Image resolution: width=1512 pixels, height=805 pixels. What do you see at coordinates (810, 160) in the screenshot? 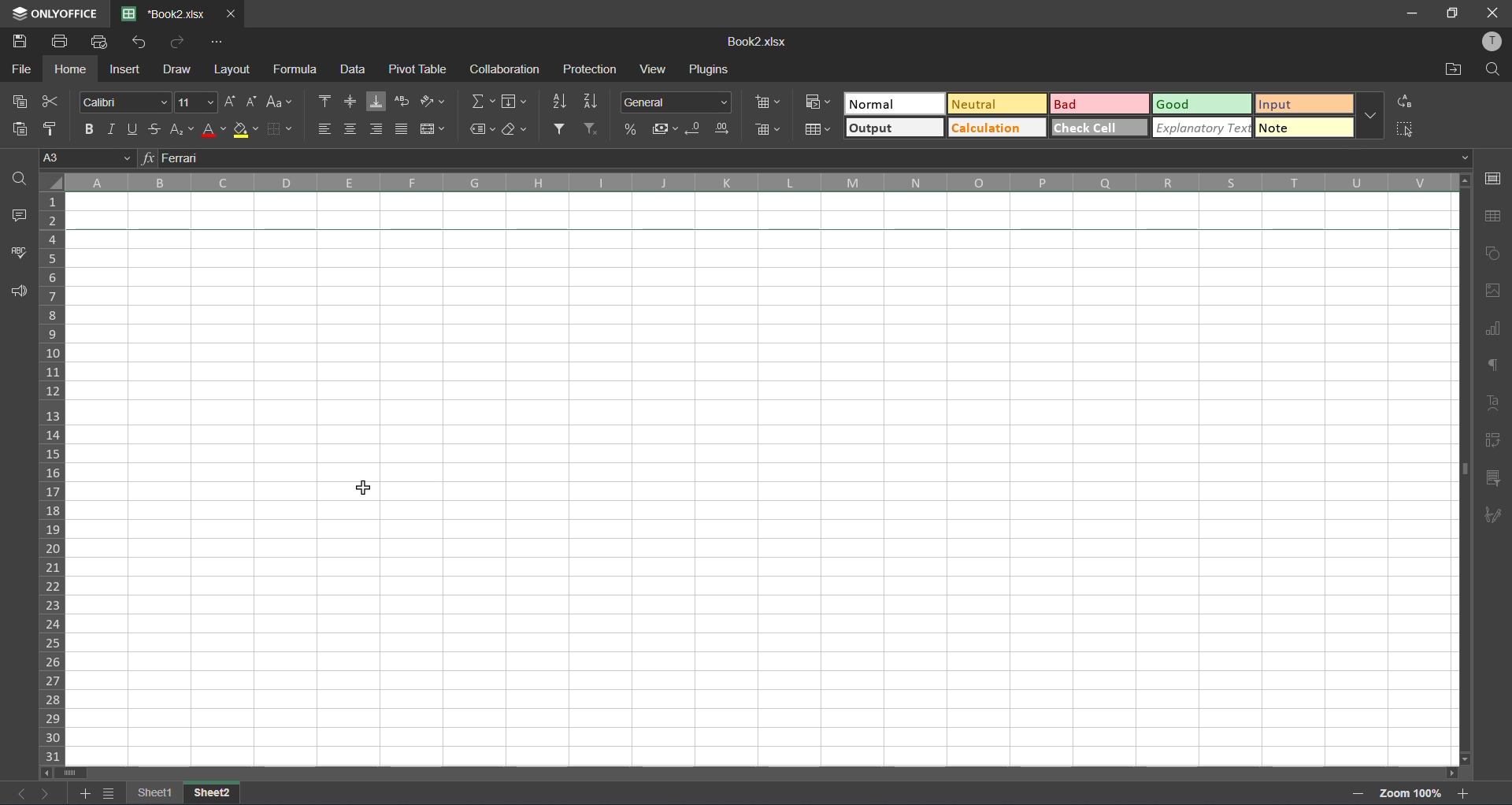
I see `formula bar` at bounding box center [810, 160].